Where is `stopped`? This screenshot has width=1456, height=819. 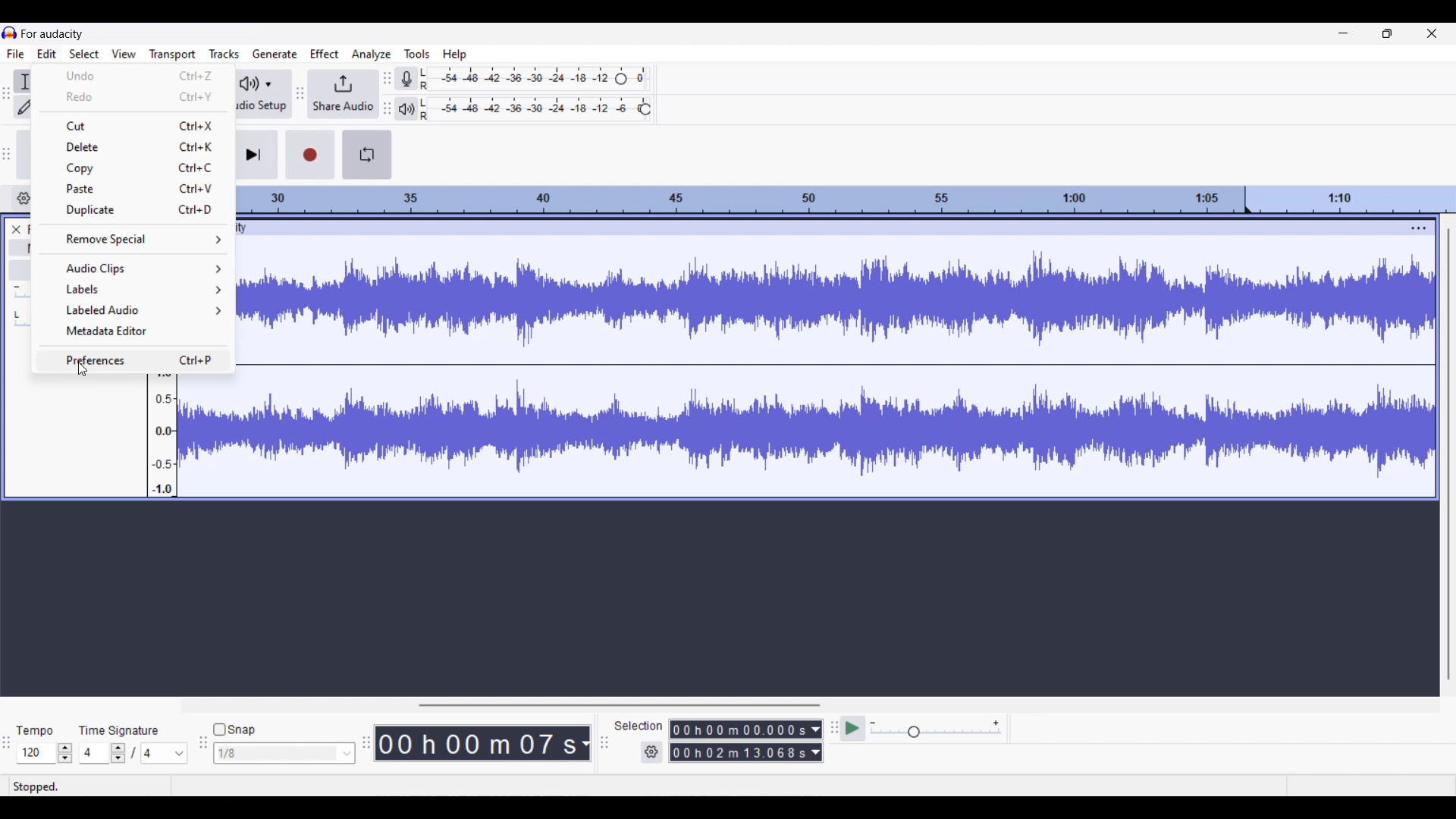 stopped is located at coordinates (37, 785).